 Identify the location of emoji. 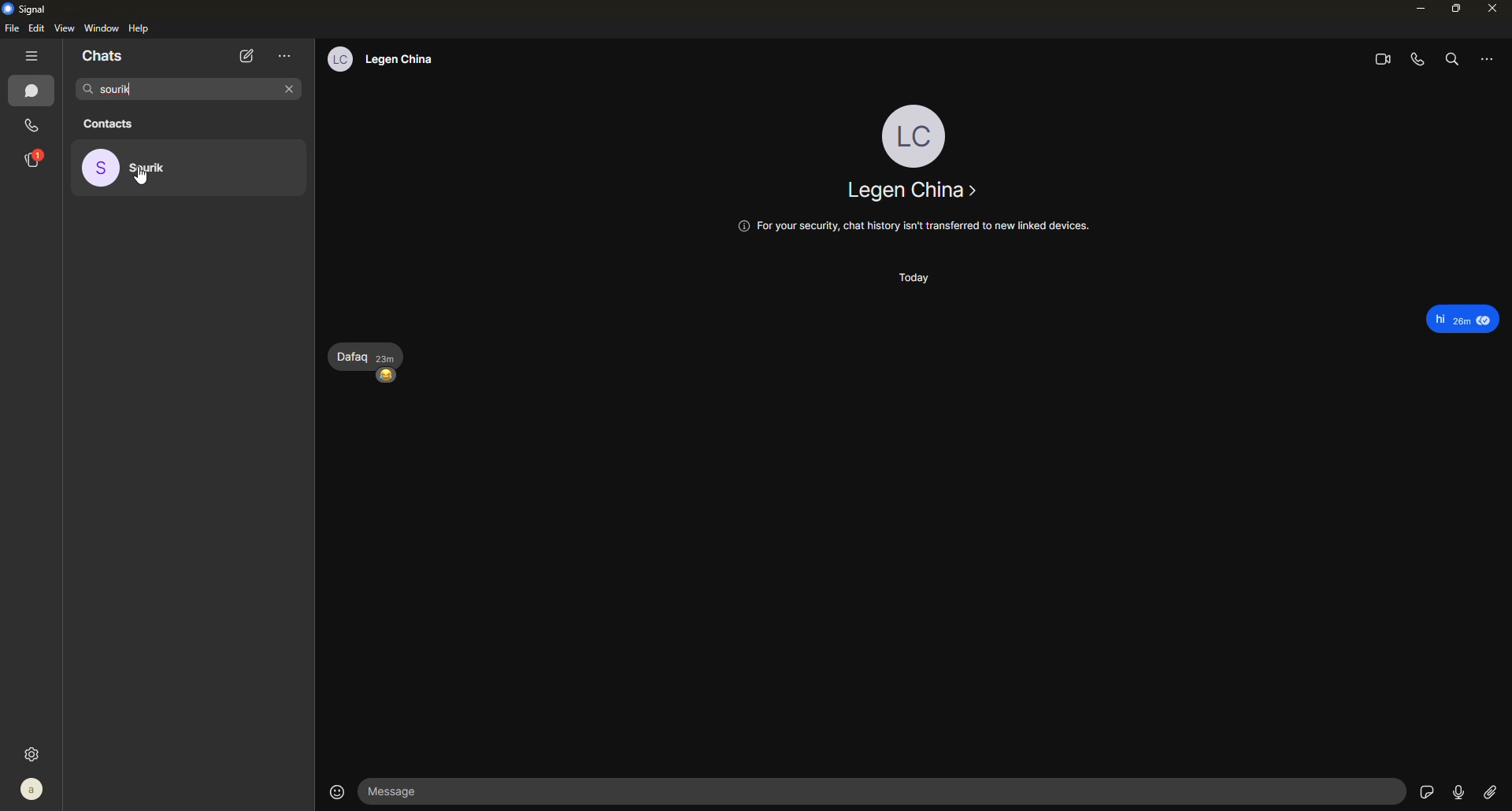
(338, 791).